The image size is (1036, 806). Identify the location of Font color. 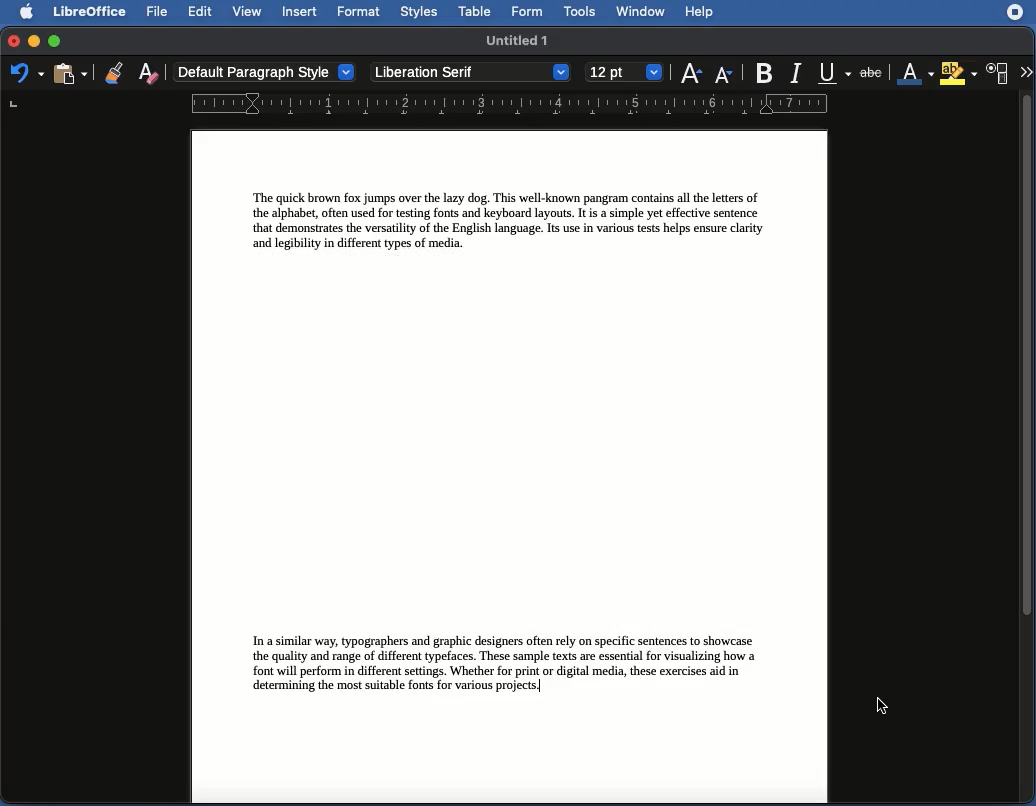
(914, 74).